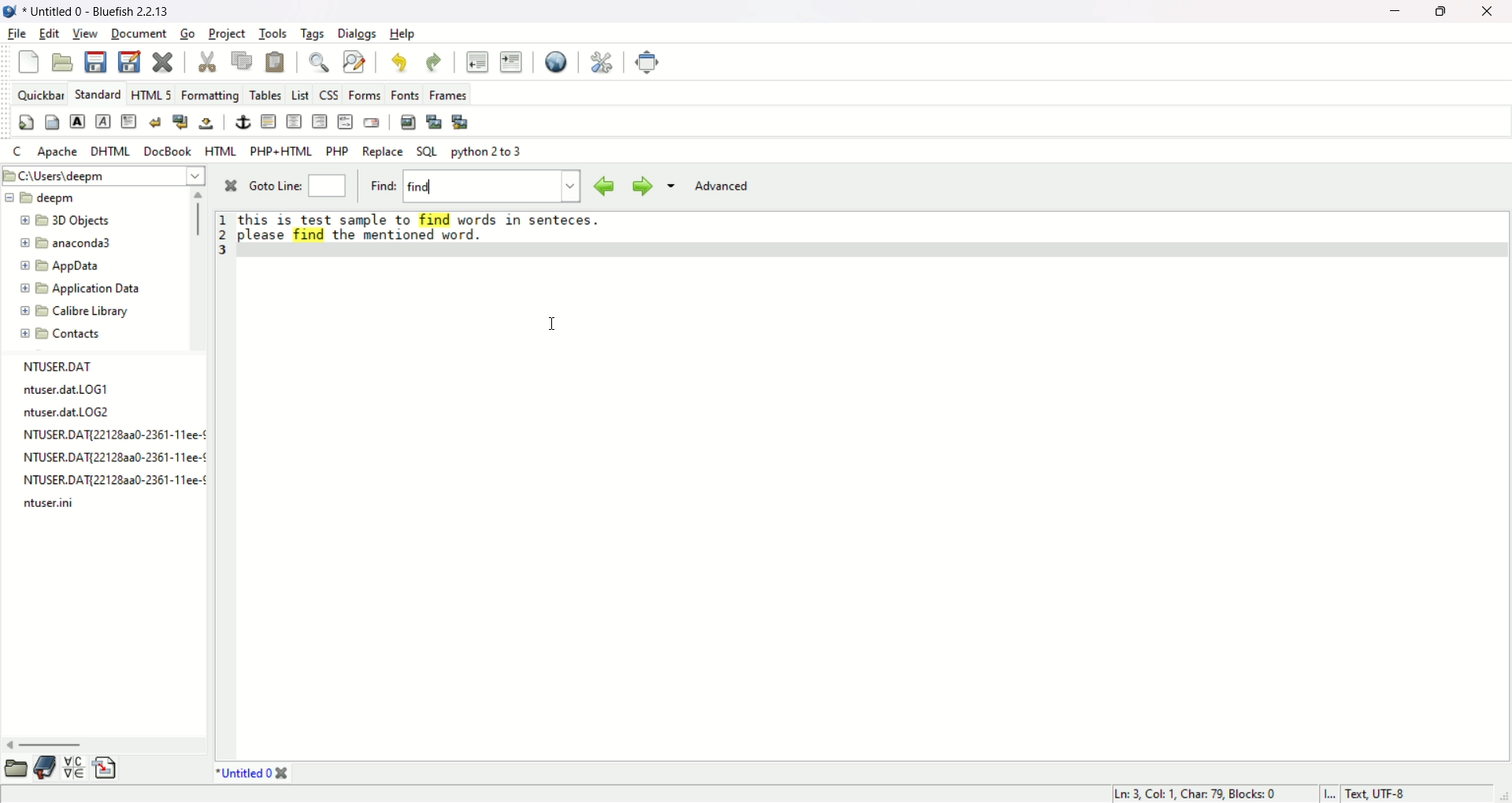  I want to click on location, so click(102, 174).